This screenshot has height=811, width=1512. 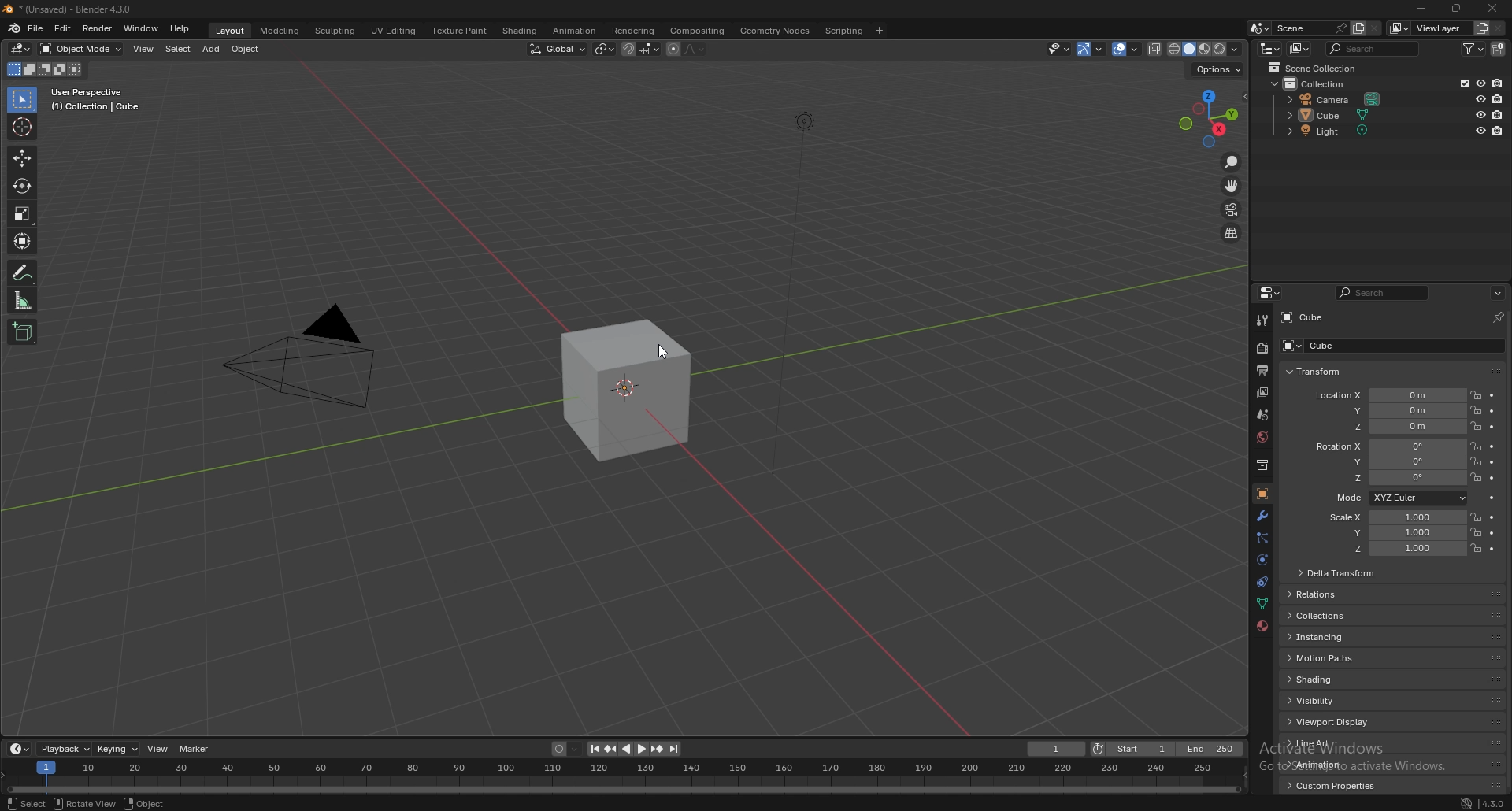 I want to click on resize, so click(x=1457, y=9).